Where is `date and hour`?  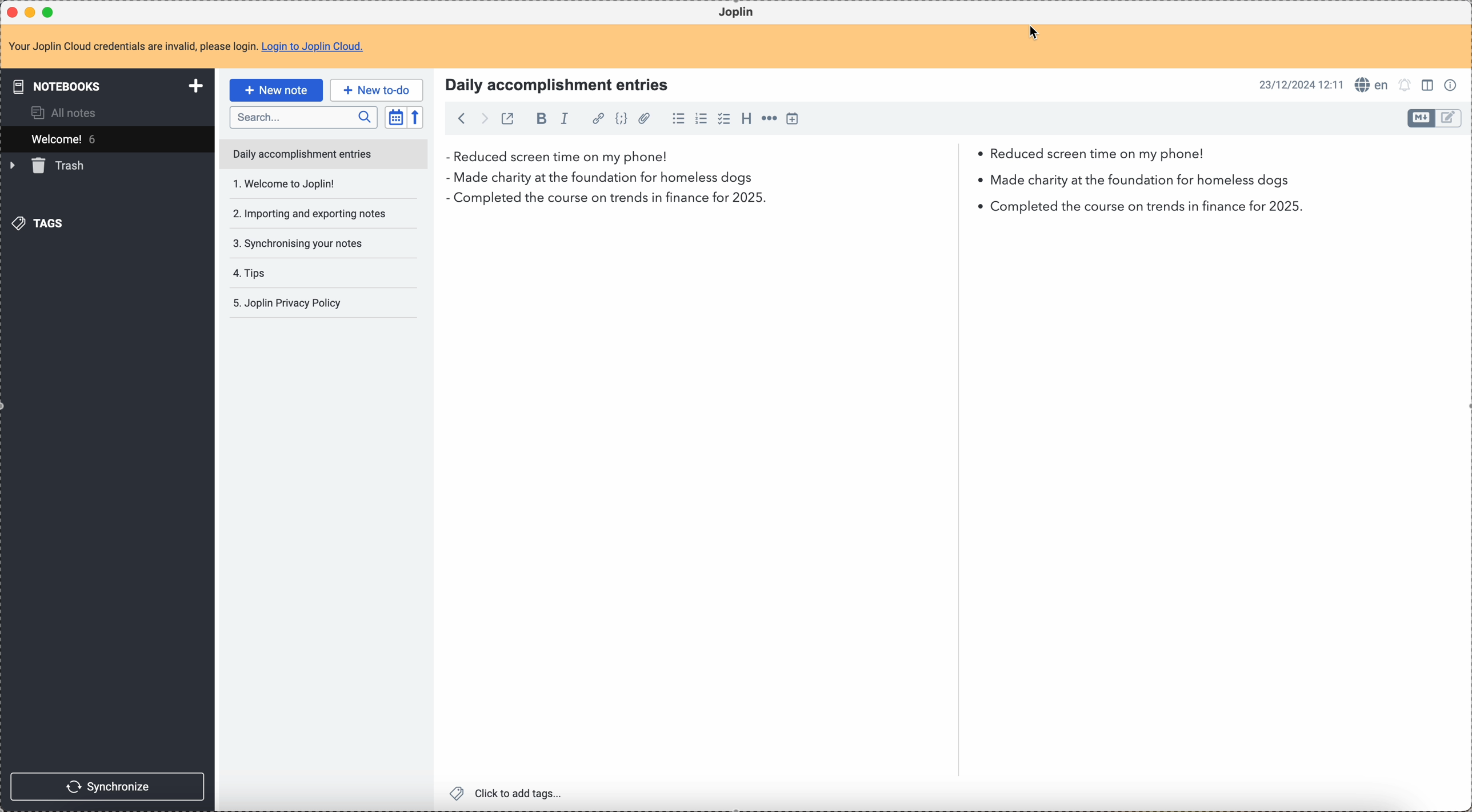
date and hour is located at coordinates (1299, 85).